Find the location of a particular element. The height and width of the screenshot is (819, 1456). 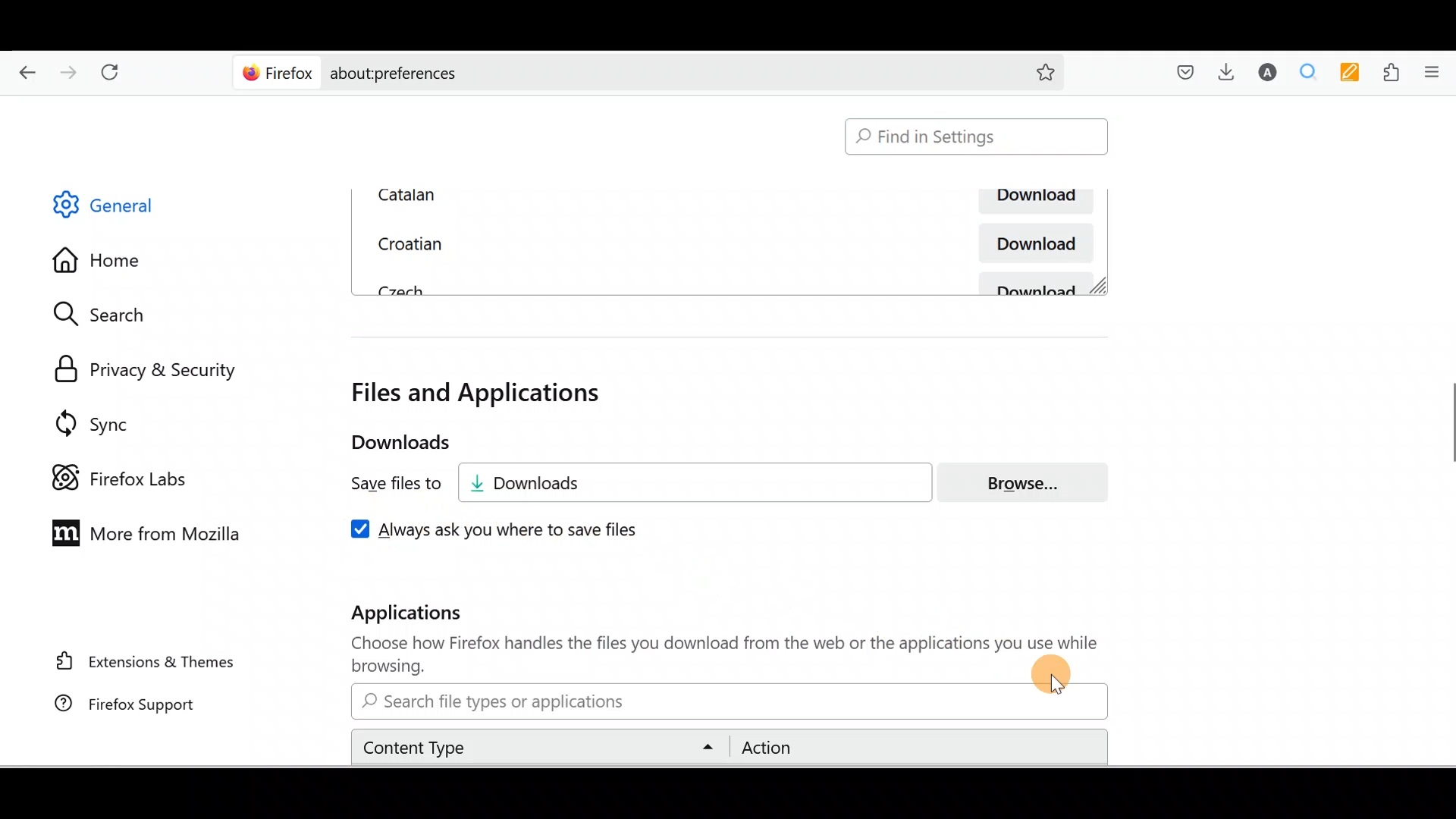

Choose how Firefox handles the files you download from the web or the applications you use while browsing. is located at coordinates (714, 655).